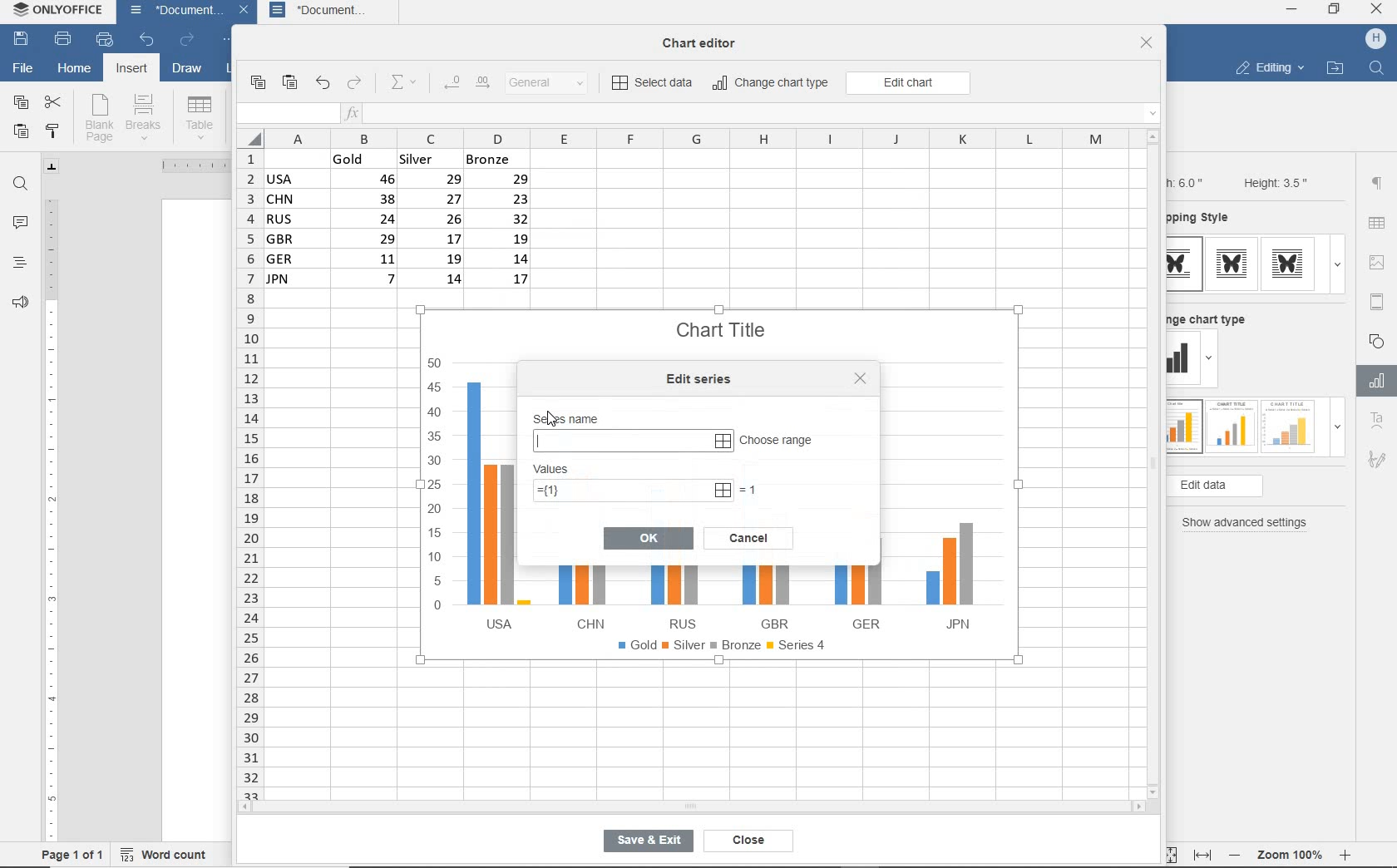 This screenshot has height=868, width=1397. What do you see at coordinates (169, 852) in the screenshot?
I see `word count` at bounding box center [169, 852].